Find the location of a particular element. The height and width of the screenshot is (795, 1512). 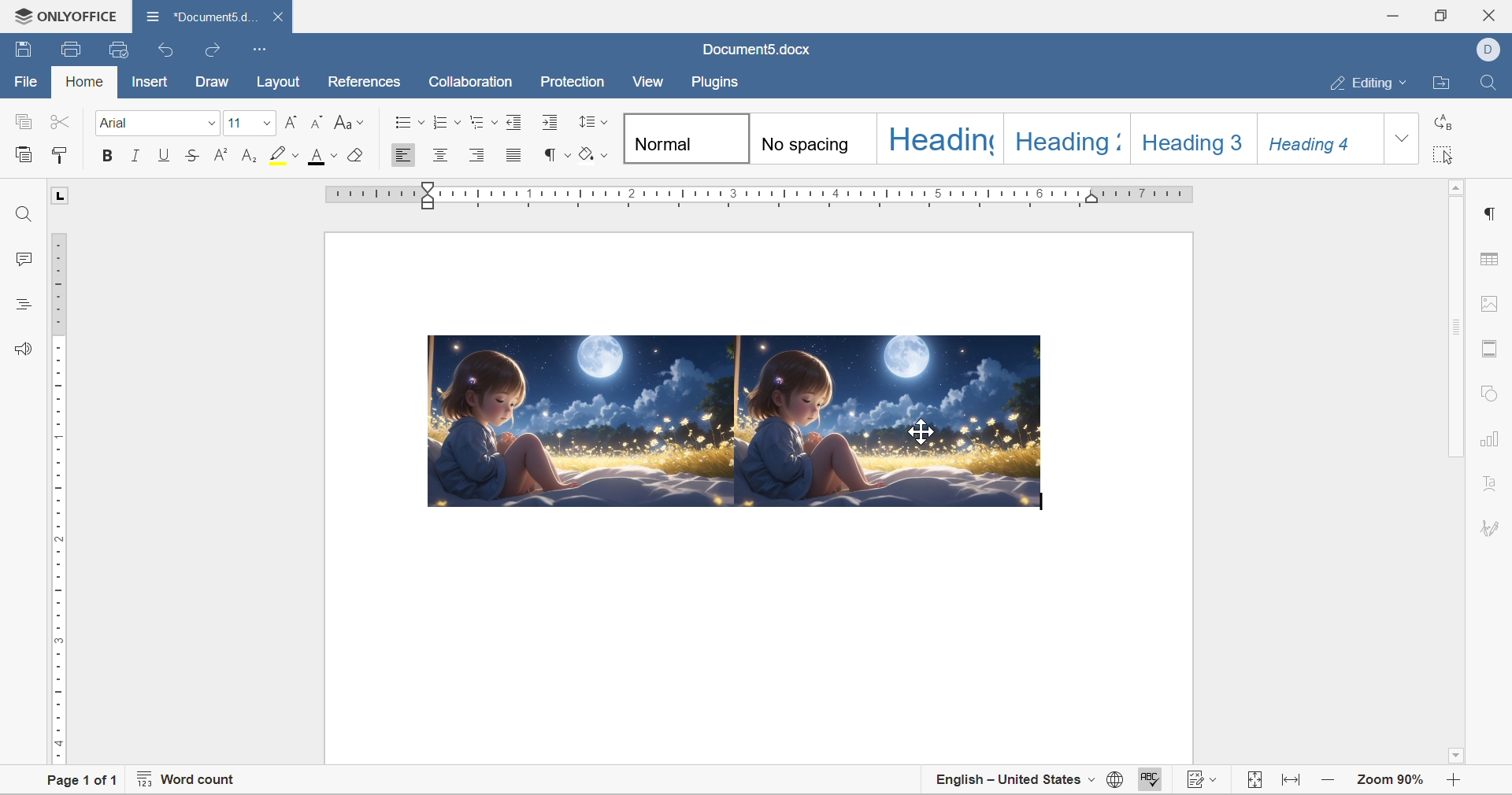

find is located at coordinates (1489, 83).